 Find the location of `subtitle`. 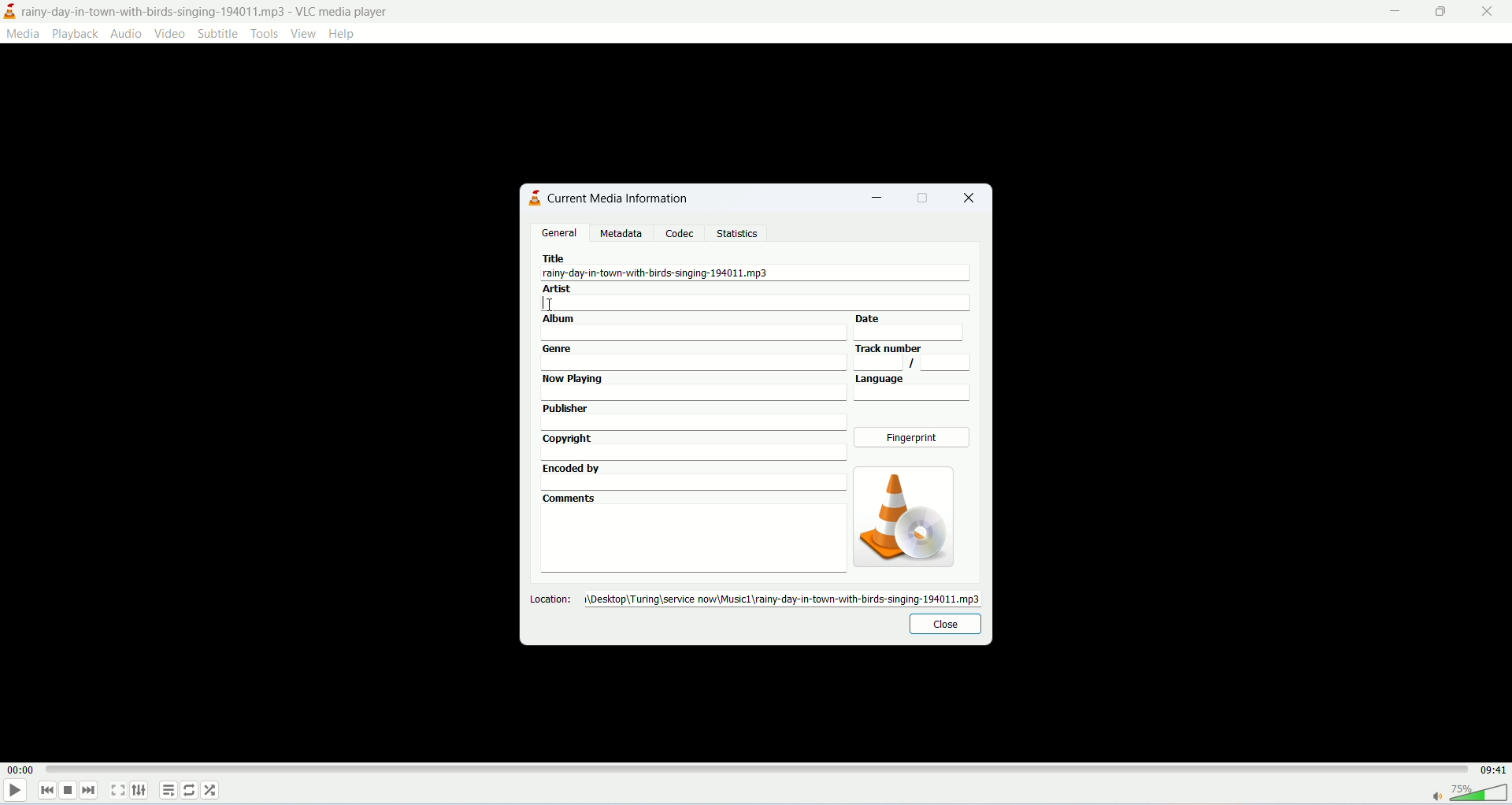

subtitle is located at coordinates (217, 34).